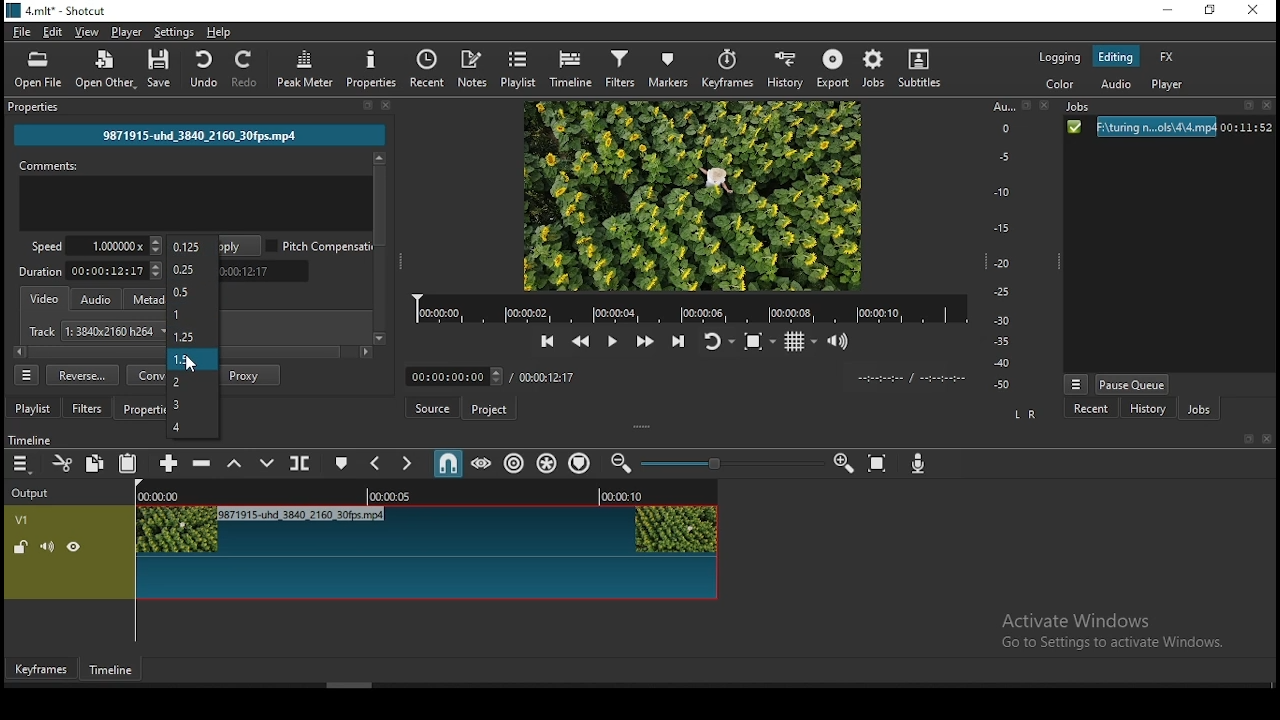  I want to click on play quickly forwards, so click(649, 341).